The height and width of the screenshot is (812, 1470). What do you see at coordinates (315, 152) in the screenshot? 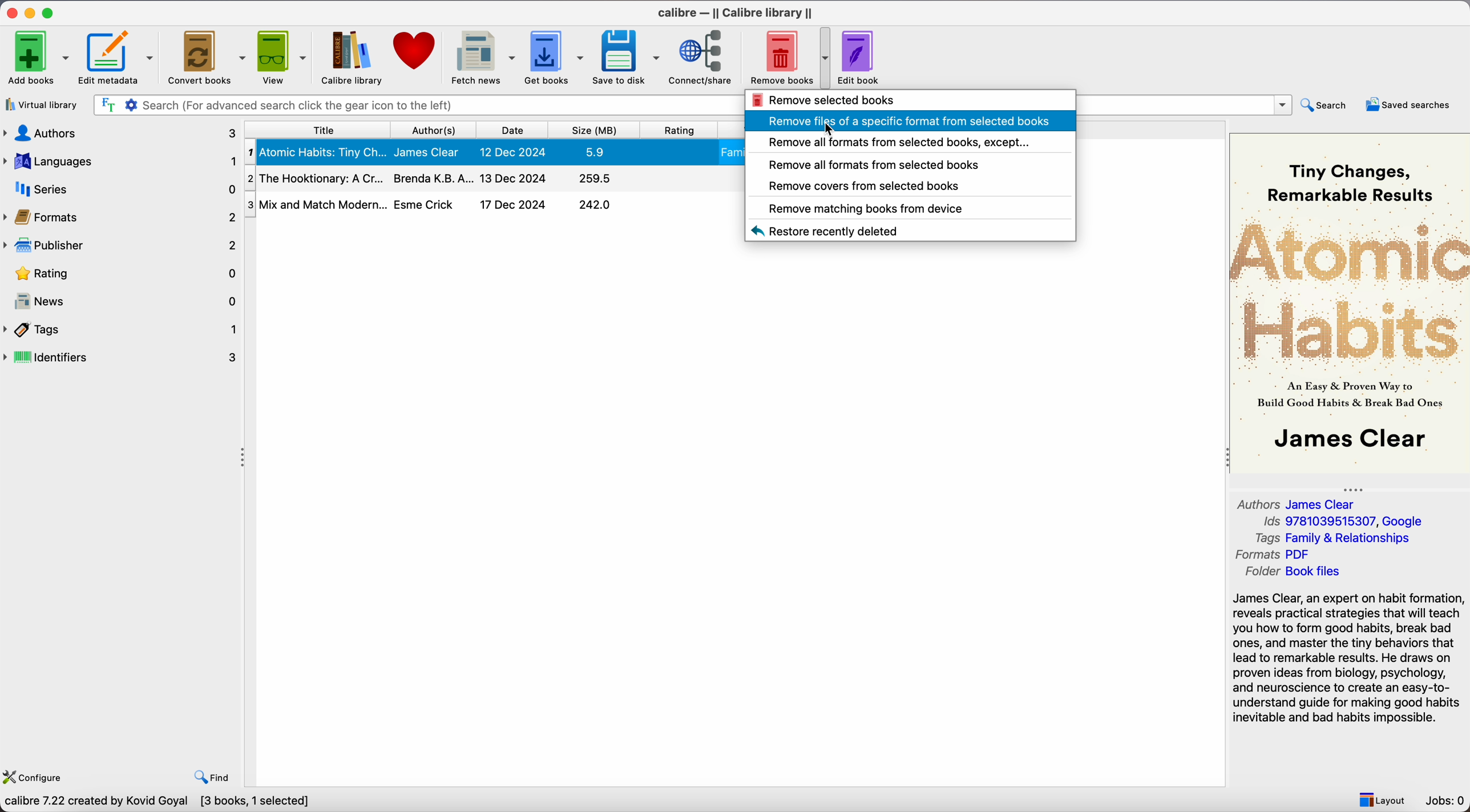
I see `Atomic Habits: Tiny Ch...` at bounding box center [315, 152].